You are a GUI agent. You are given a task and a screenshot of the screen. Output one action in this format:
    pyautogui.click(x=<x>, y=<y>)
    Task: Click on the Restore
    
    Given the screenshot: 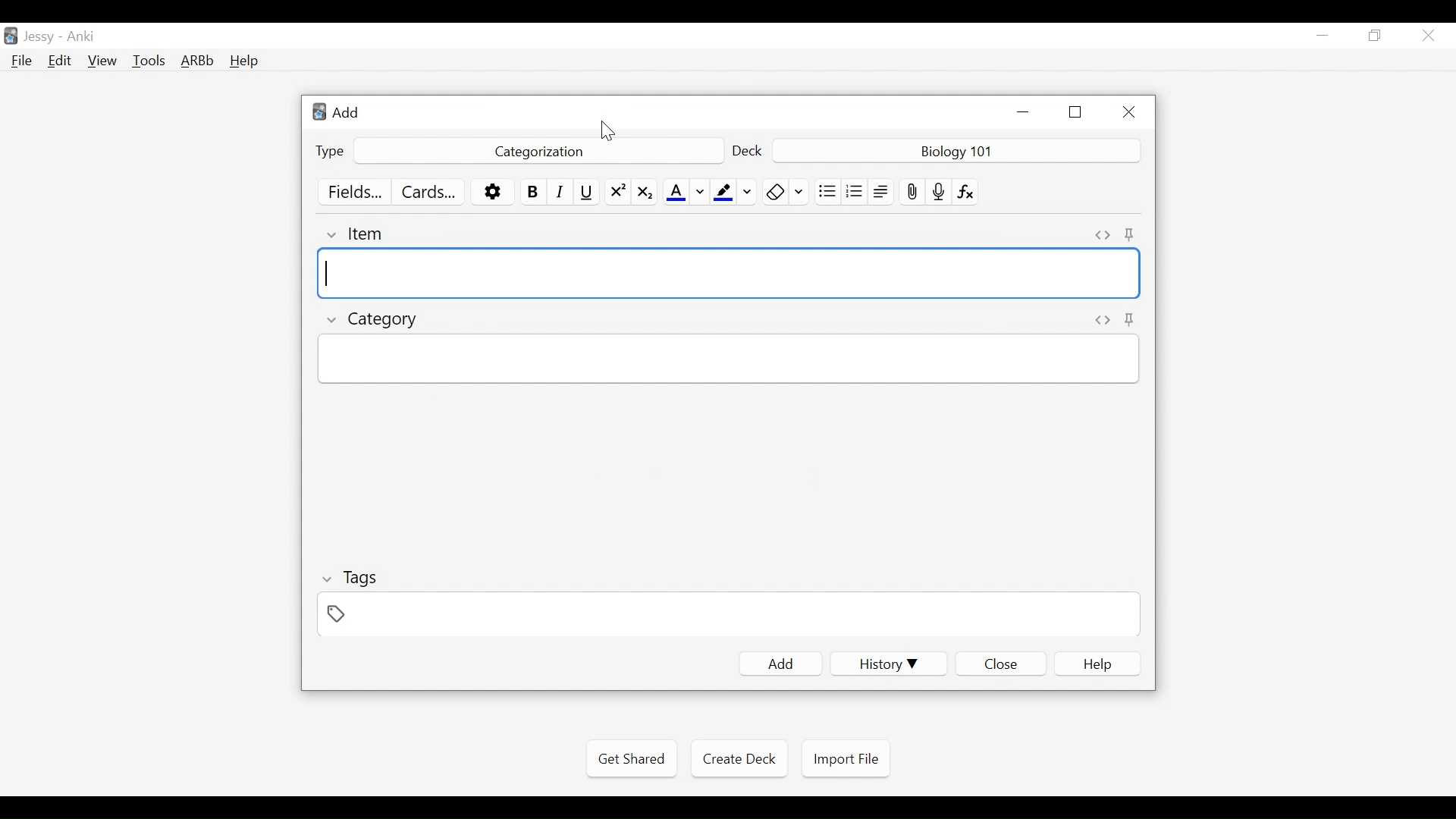 What is the action you would take?
    pyautogui.click(x=1076, y=112)
    